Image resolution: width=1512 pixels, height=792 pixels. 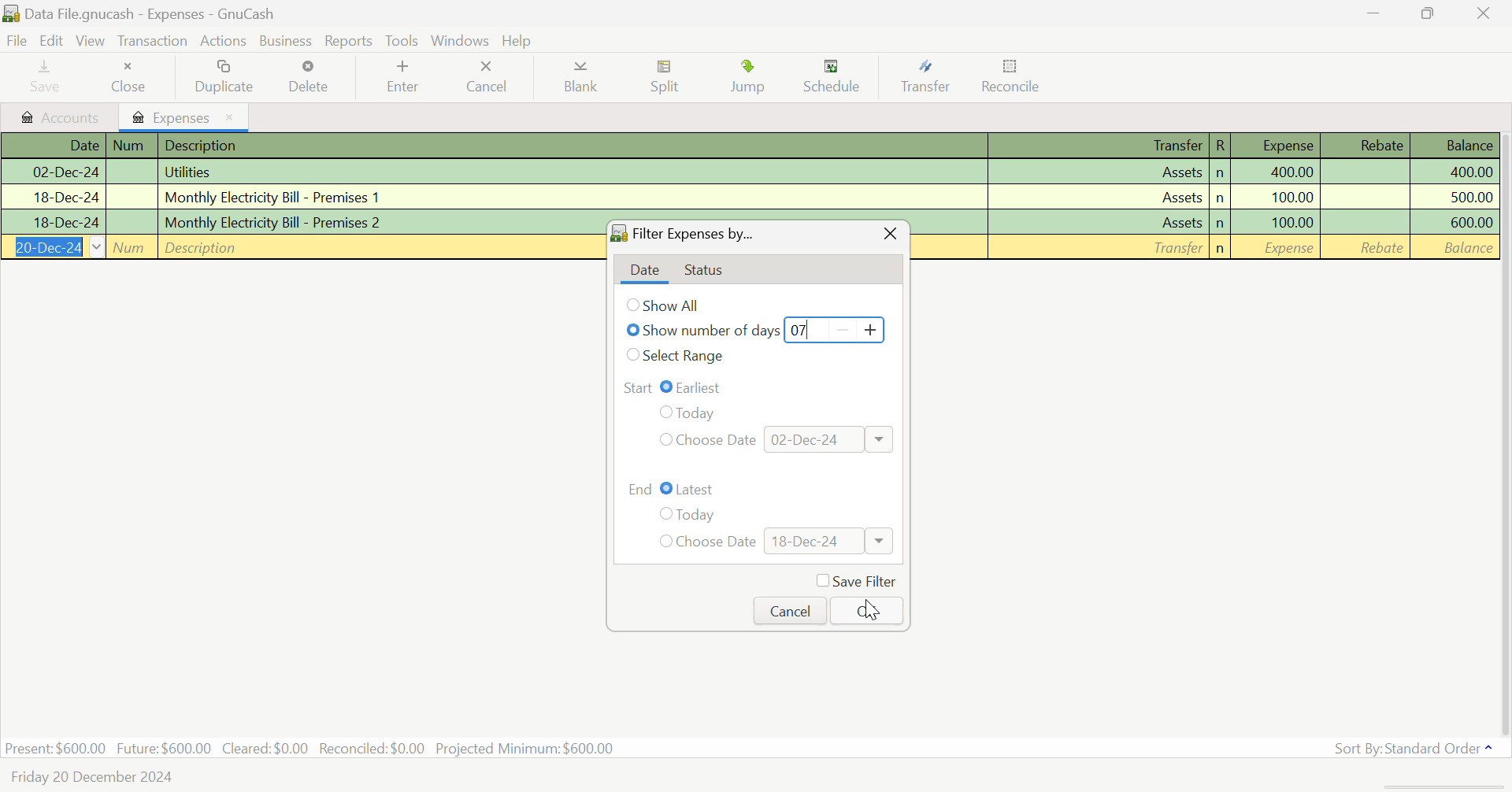 What do you see at coordinates (759, 387) in the screenshot?
I see `Range Start: Earliest` at bounding box center [759, 387].